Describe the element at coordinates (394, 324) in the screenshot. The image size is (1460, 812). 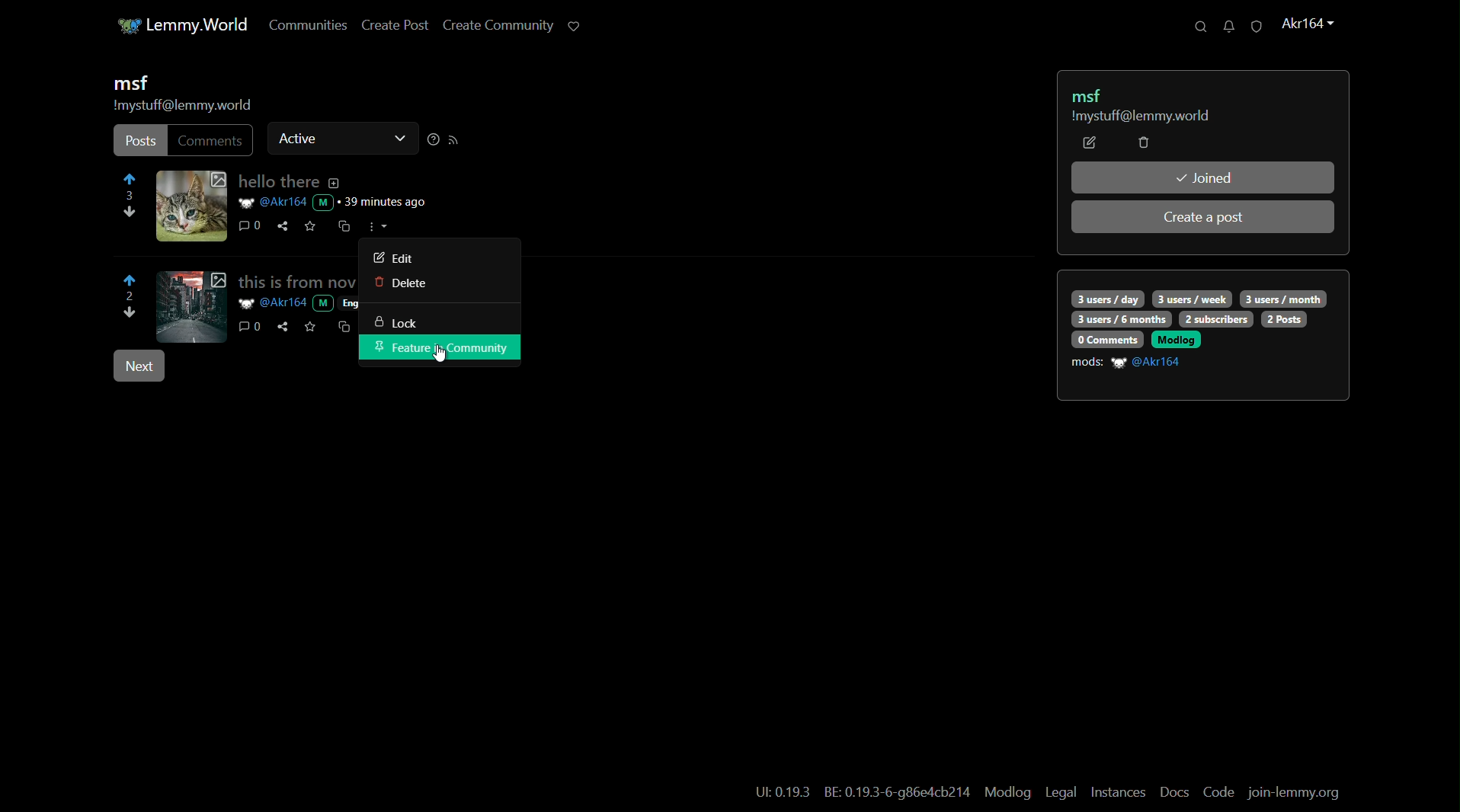
I see `lock` at that location.